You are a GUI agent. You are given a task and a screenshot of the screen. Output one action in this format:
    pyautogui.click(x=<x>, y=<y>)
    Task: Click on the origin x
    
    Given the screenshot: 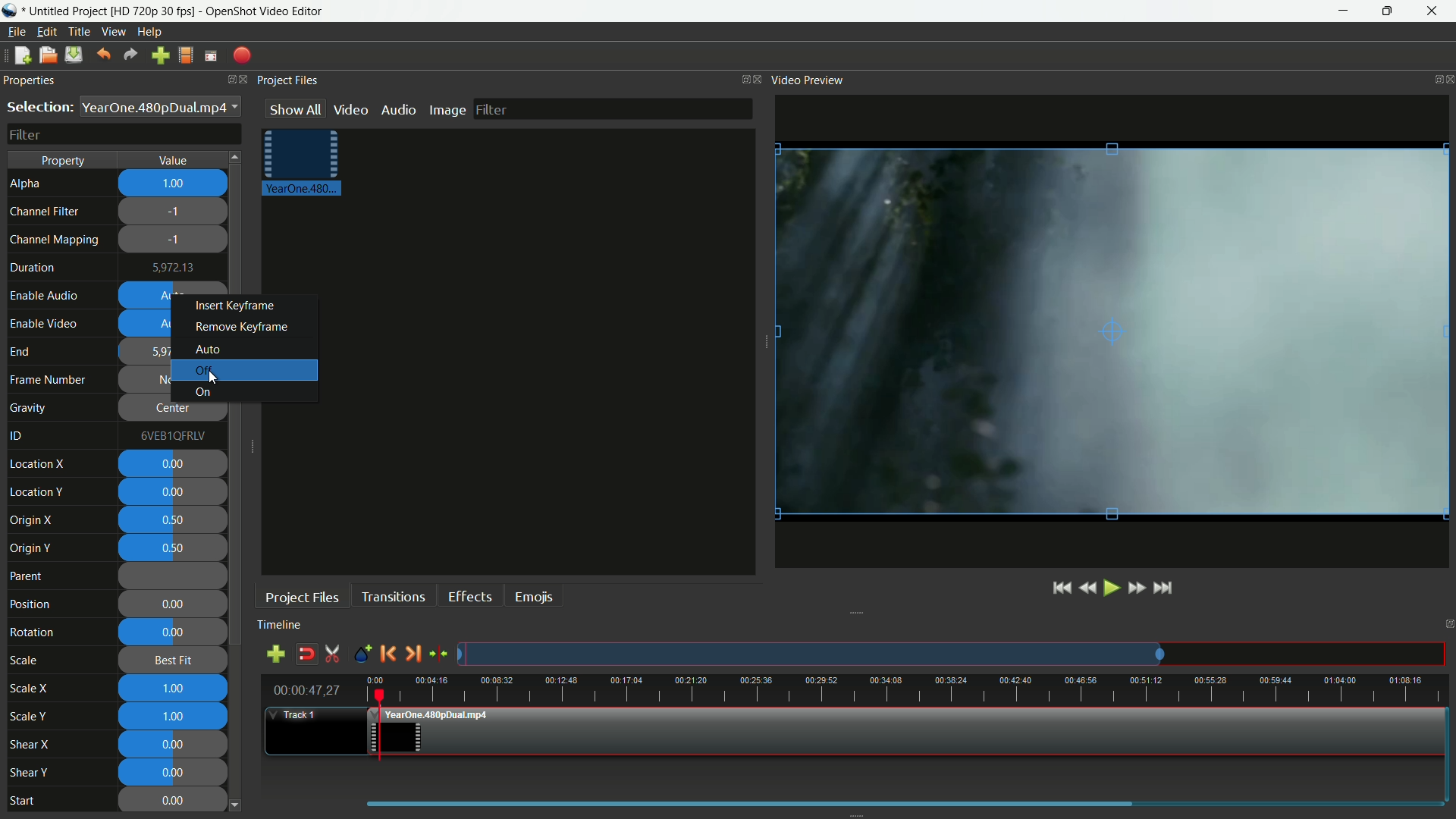 What is the action you would take?
    pyautogui.click(x=33, y=521)
    